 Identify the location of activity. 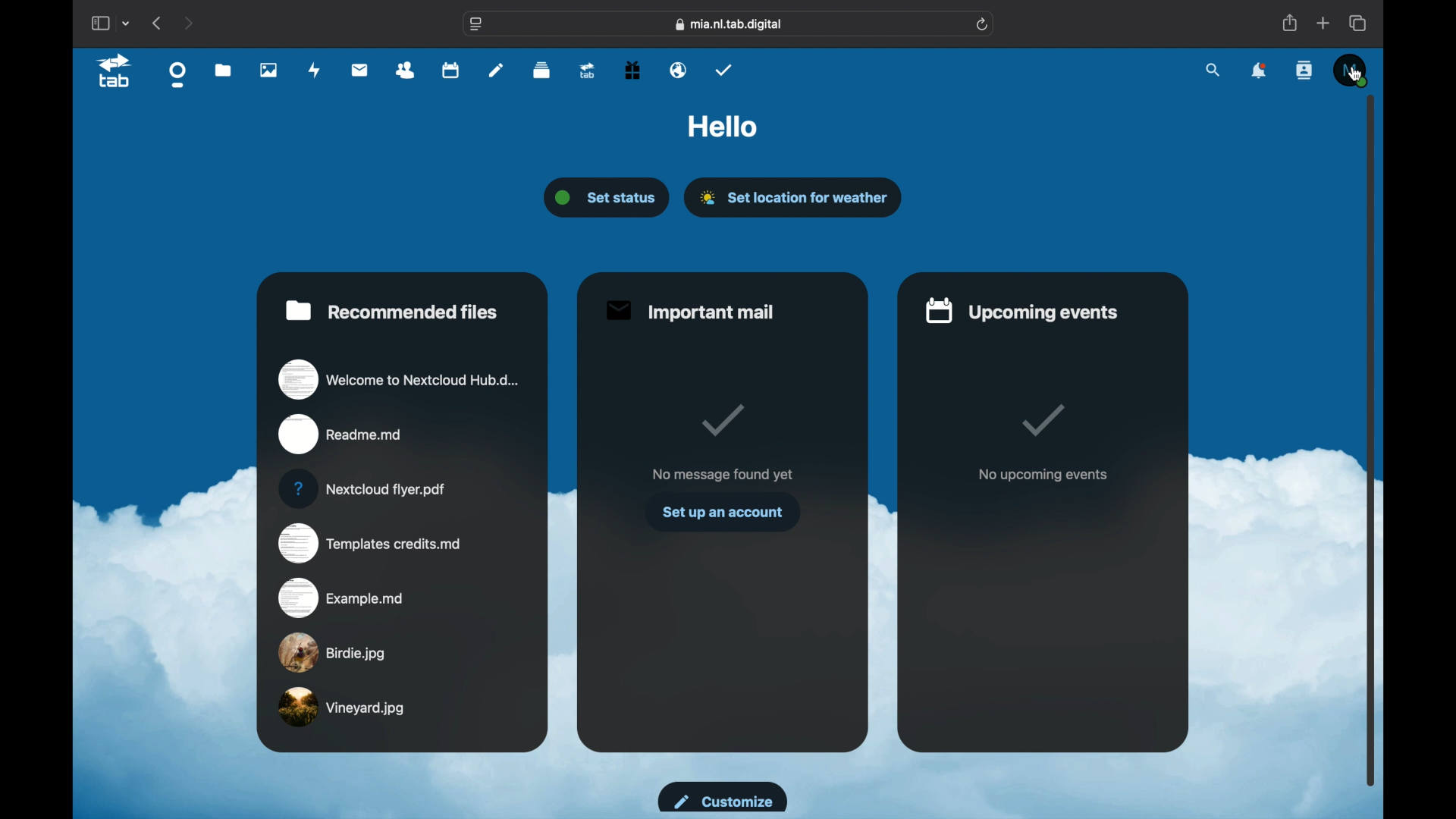
(315, 70).